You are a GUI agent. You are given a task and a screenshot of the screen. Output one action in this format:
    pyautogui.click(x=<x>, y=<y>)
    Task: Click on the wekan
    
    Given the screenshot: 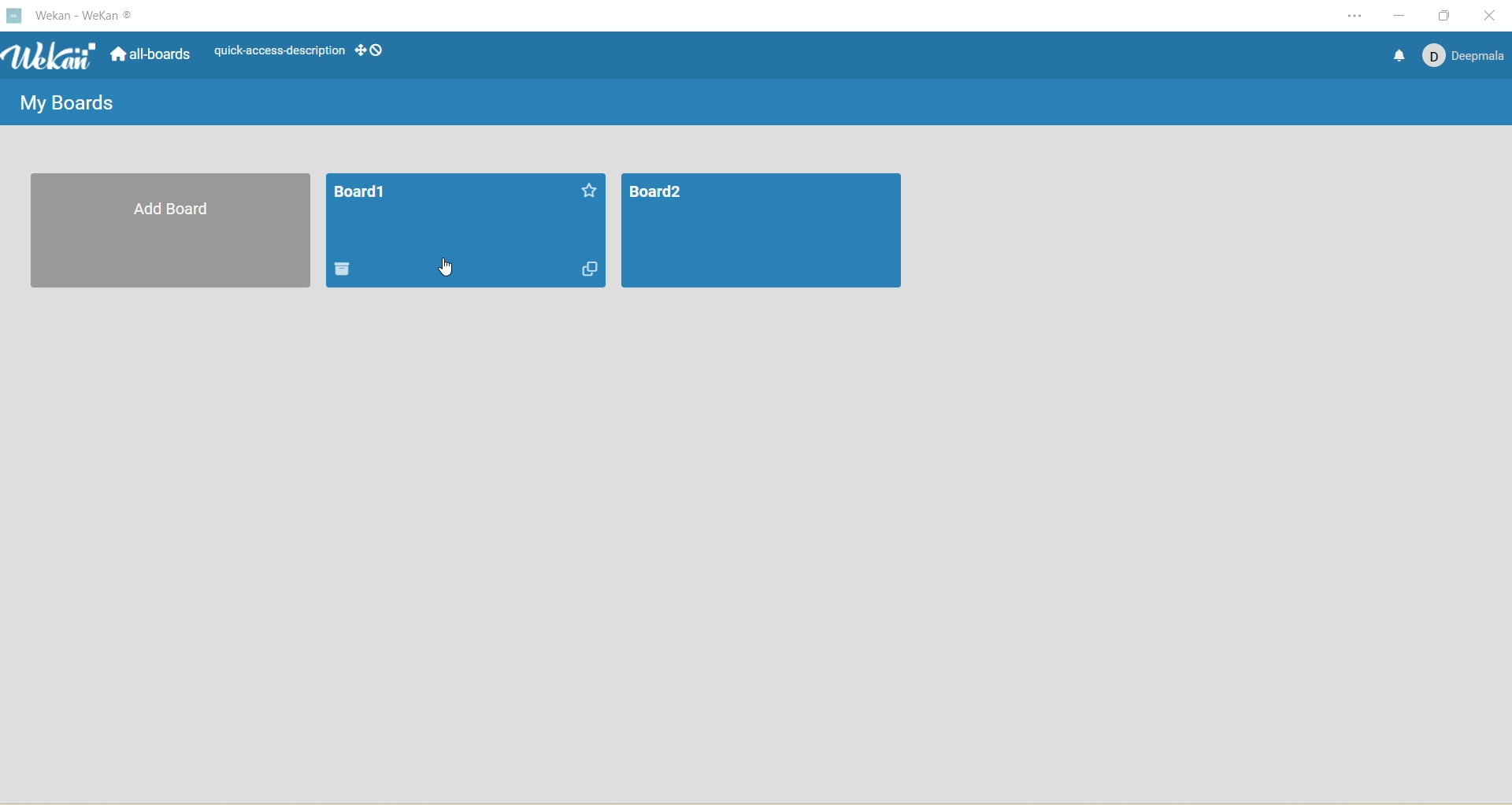 What is the action you would take?
    pyautogui.click(x=50, y=57)
    